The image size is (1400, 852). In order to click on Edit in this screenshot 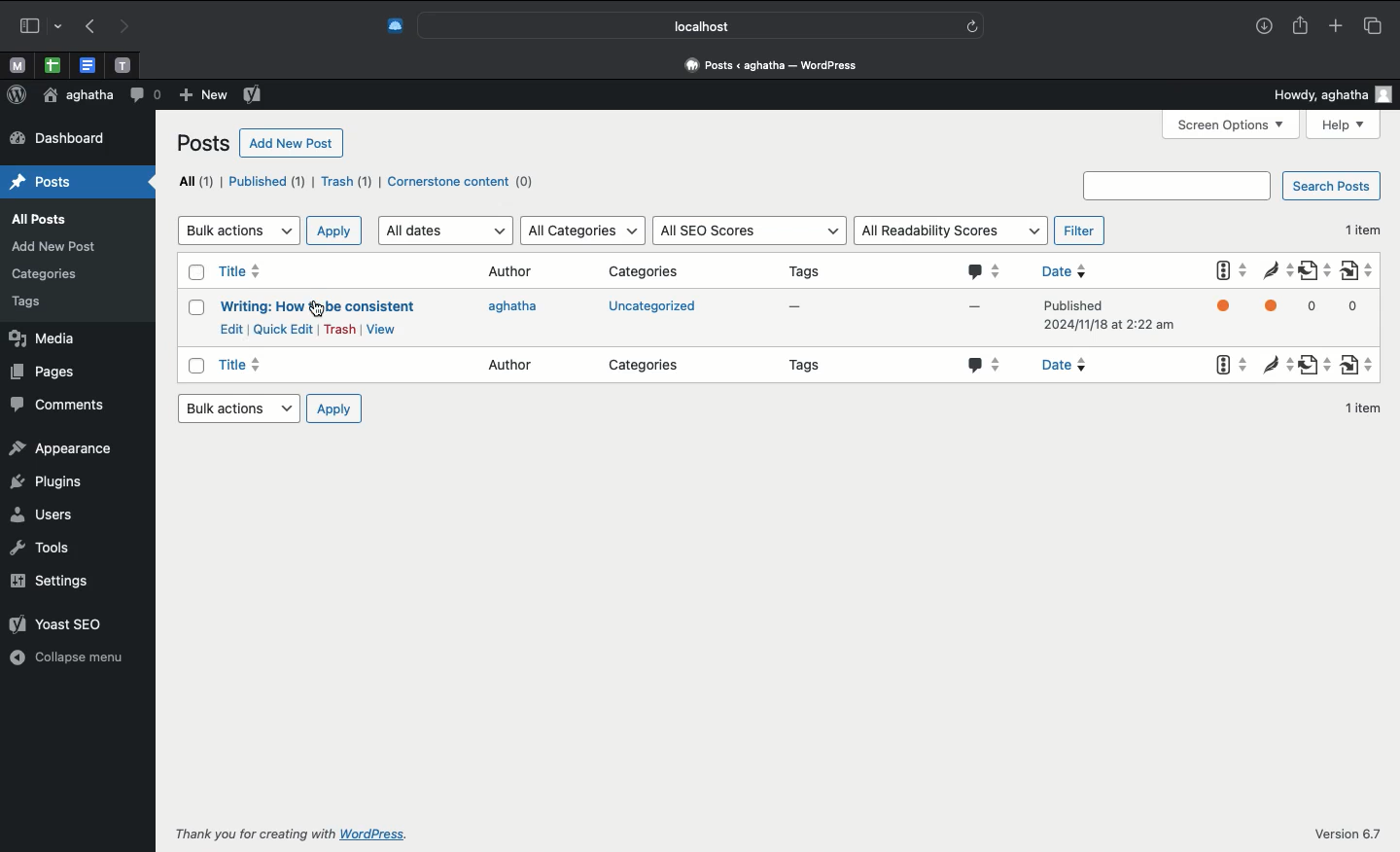, I will do `click(231, 328)`.